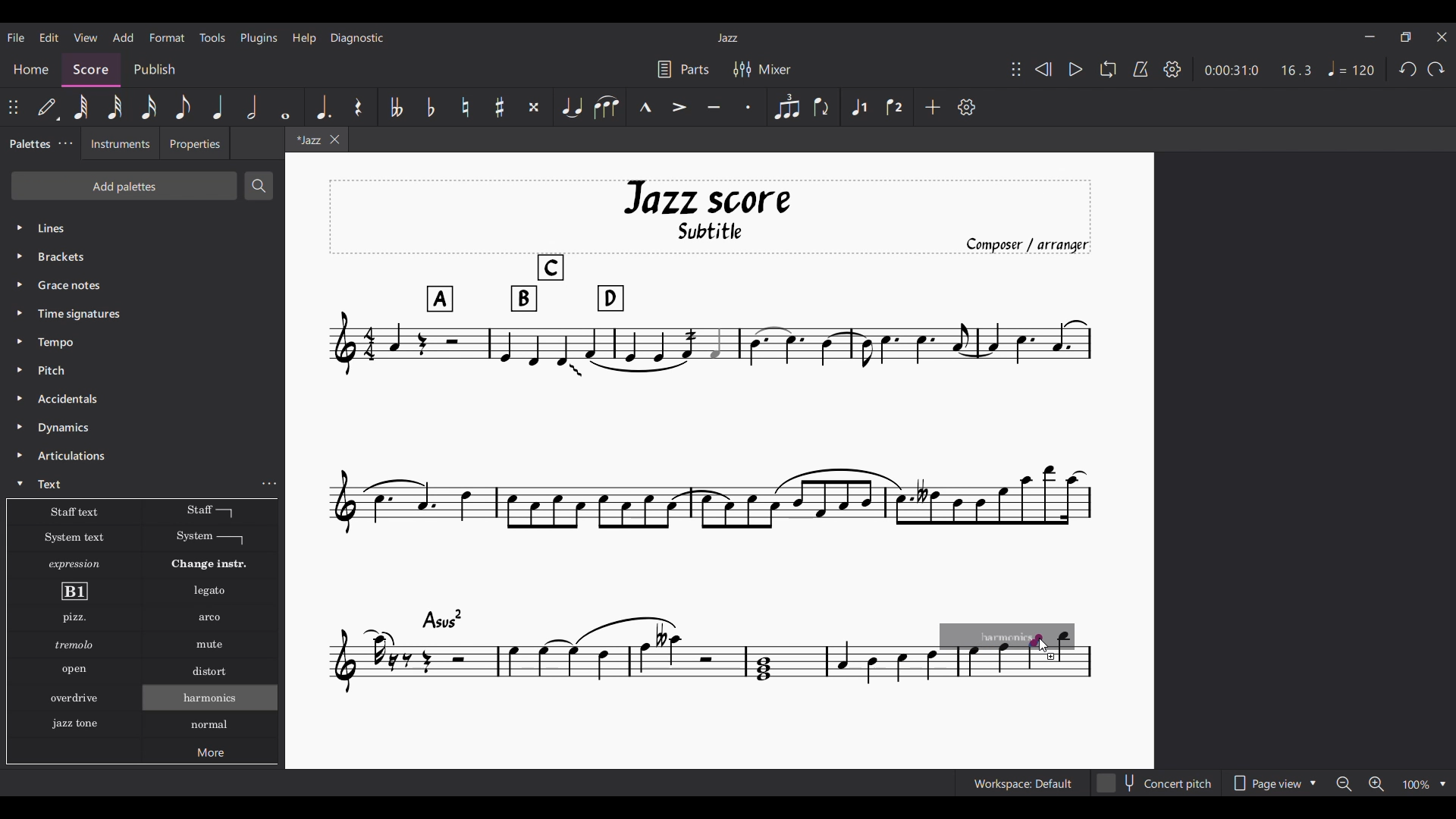  What do you see at coordinates (334, 140) in the screenshot?
I see `Close tab` at bounding box center [334, 140].